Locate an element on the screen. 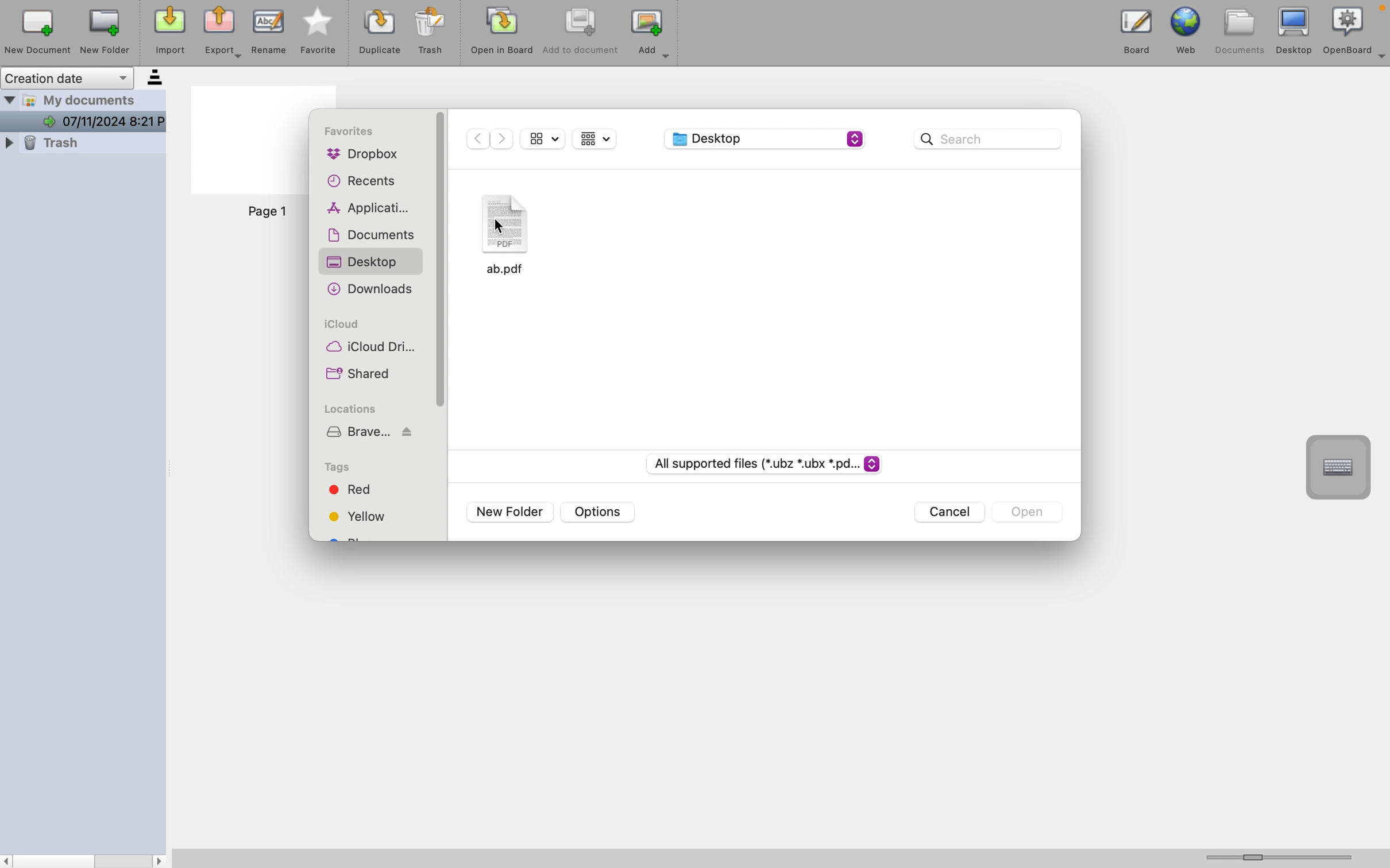 This screenshot has width=1390, height=868. dropbox is located at coordinates (362, 155).